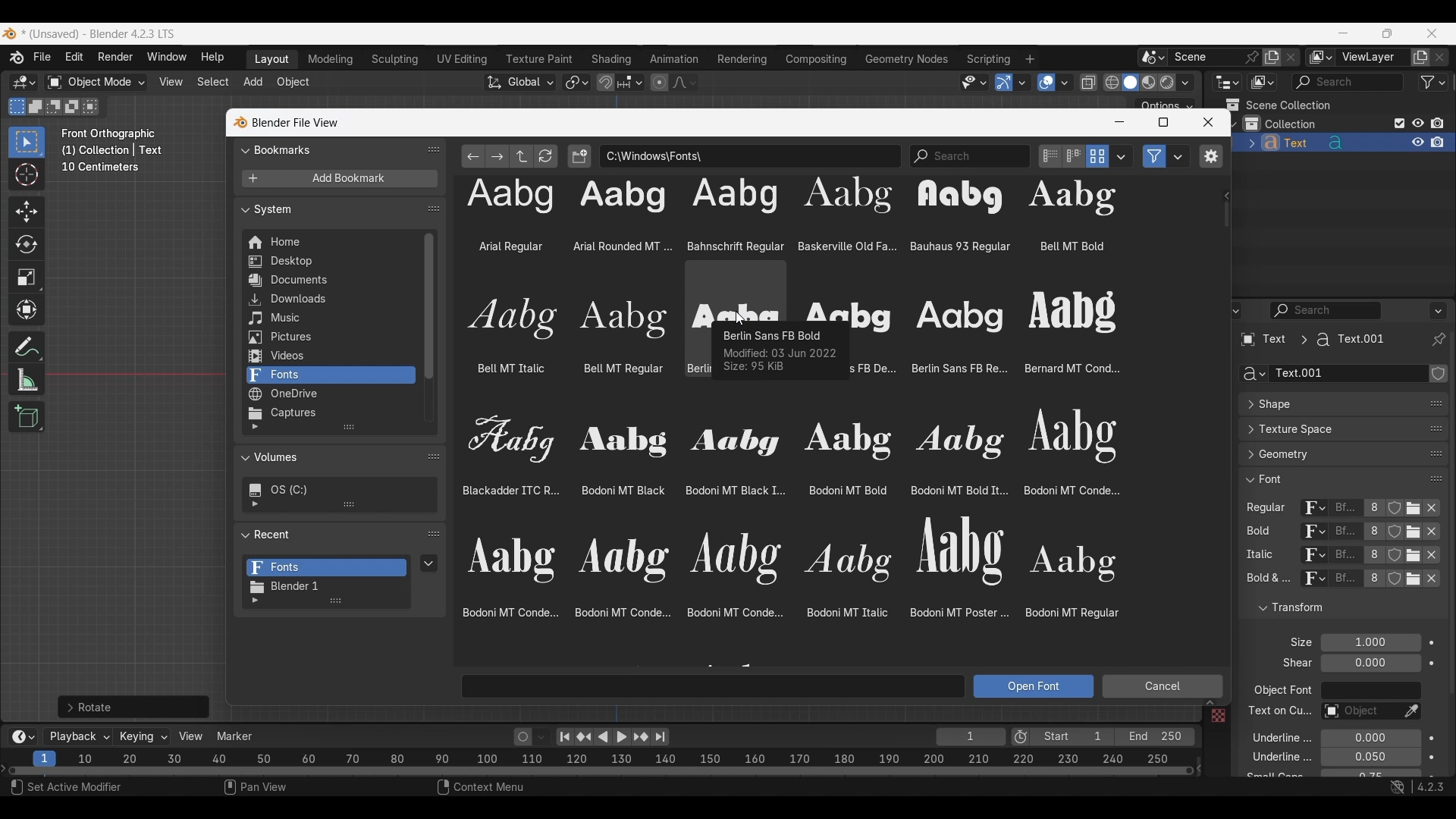  I want to click on Click to collapse Transform, so click(1330, 608).